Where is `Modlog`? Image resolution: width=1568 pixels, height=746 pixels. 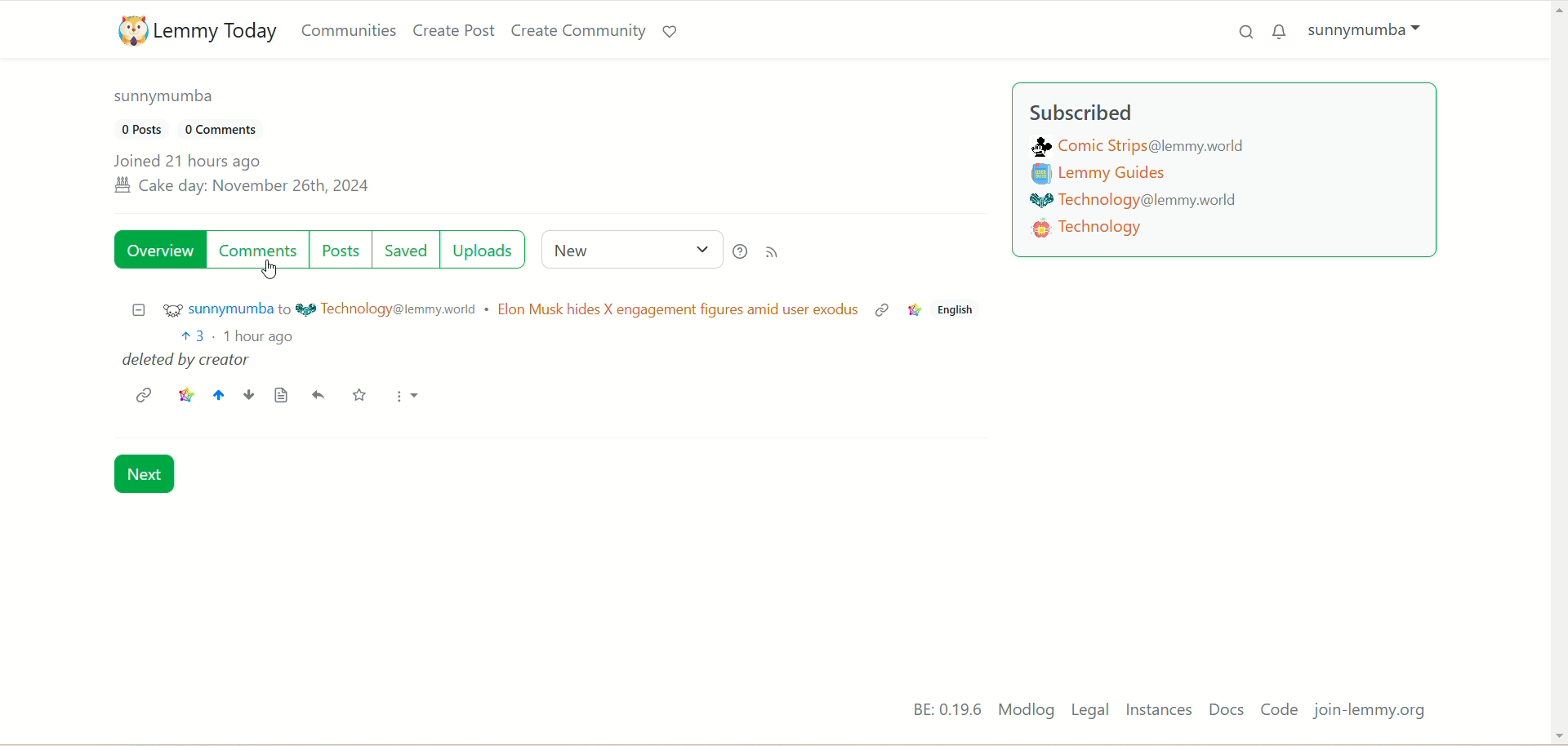 Modlog is located at coordinates (1024, 711).